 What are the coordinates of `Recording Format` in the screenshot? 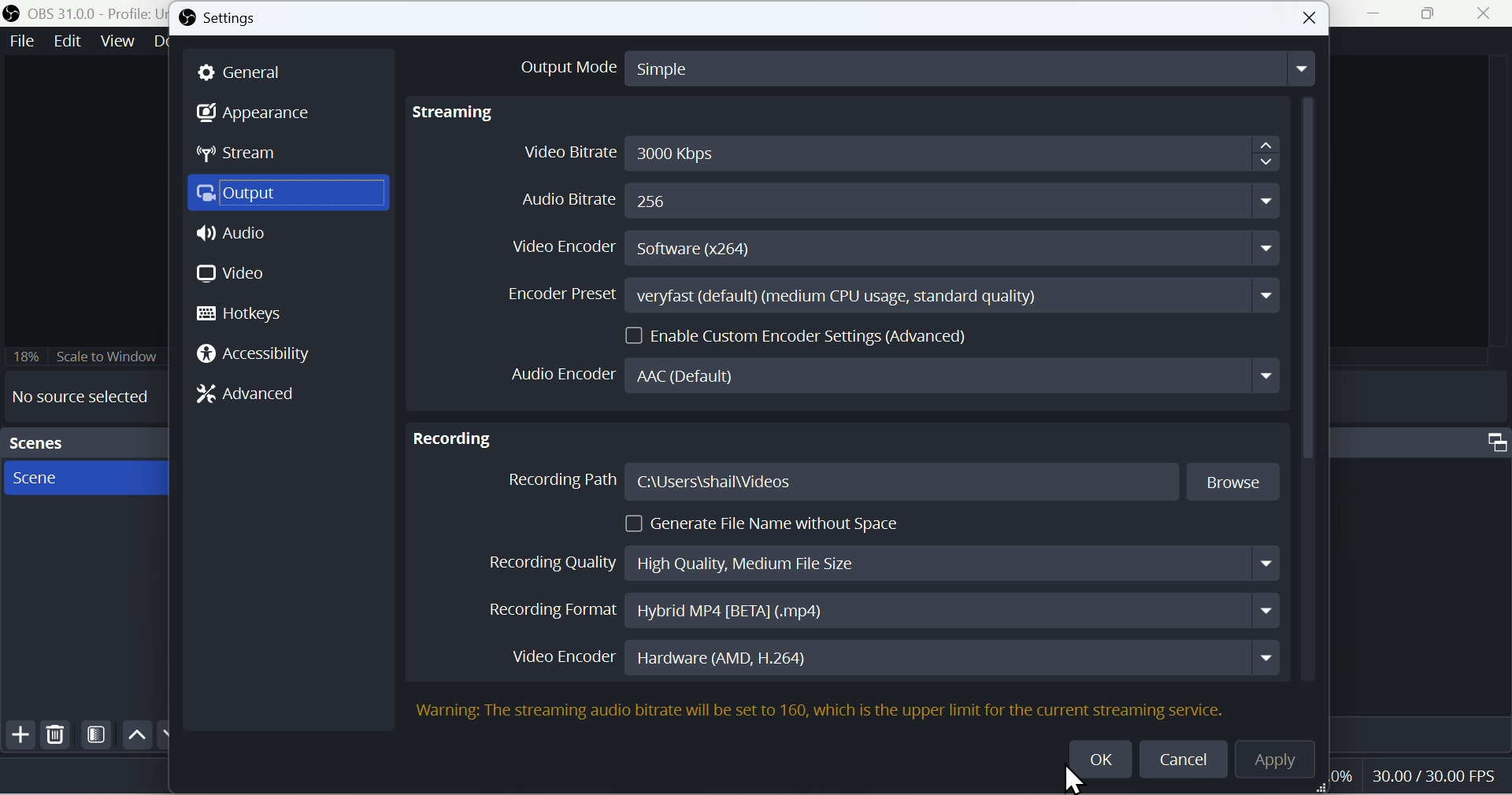 It's located at (877, 611).